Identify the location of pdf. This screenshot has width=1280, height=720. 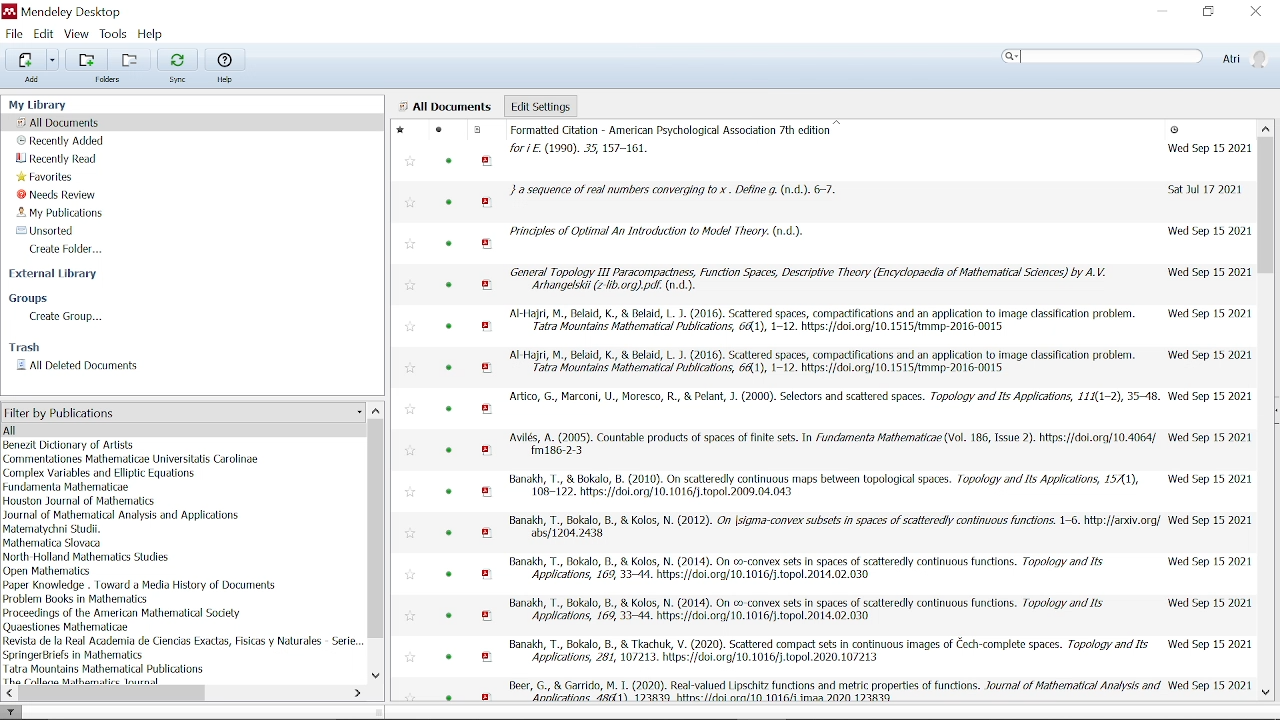
(488, 326).